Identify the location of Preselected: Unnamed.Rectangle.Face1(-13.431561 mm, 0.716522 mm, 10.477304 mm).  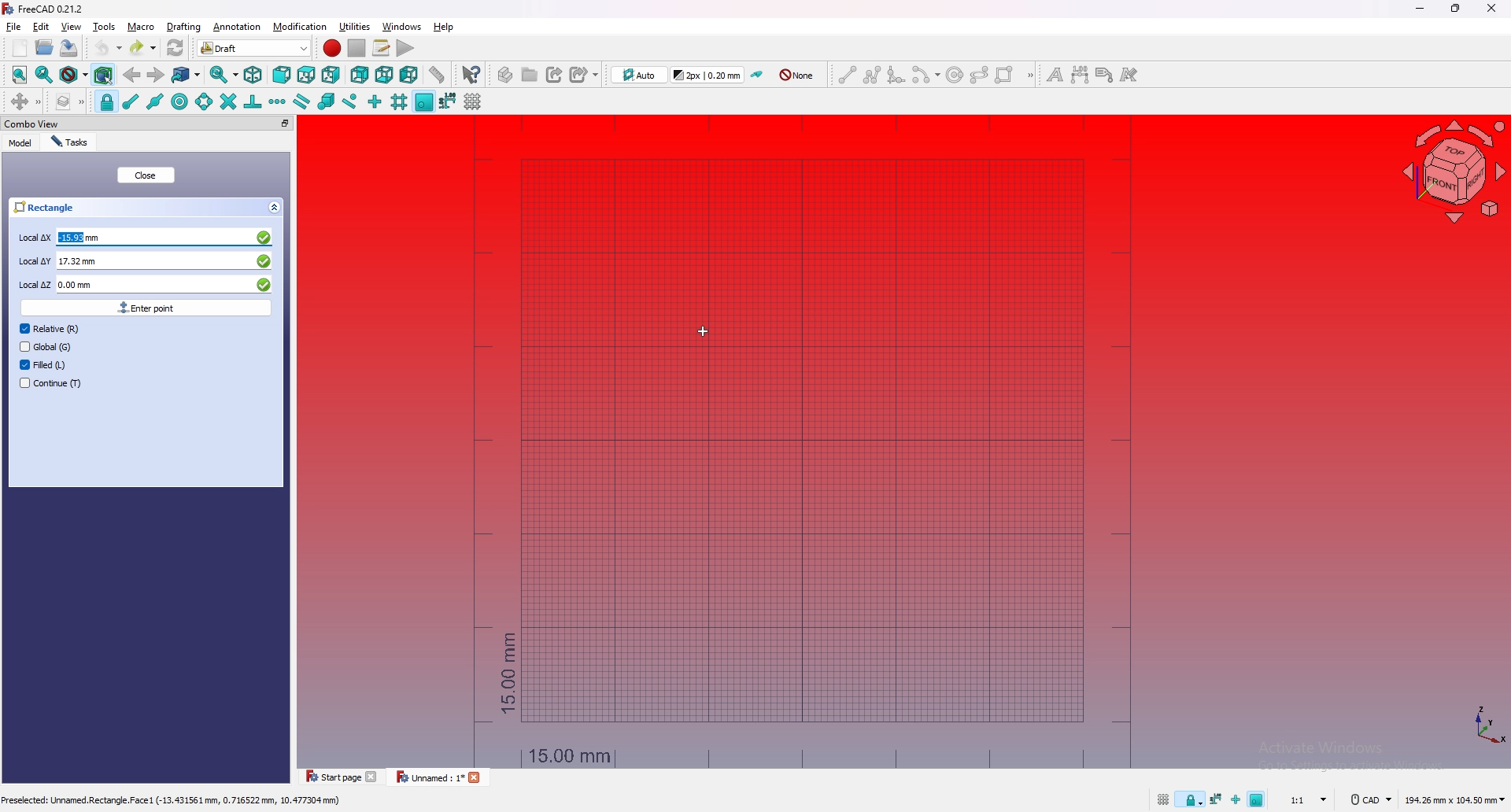
(174, 800).